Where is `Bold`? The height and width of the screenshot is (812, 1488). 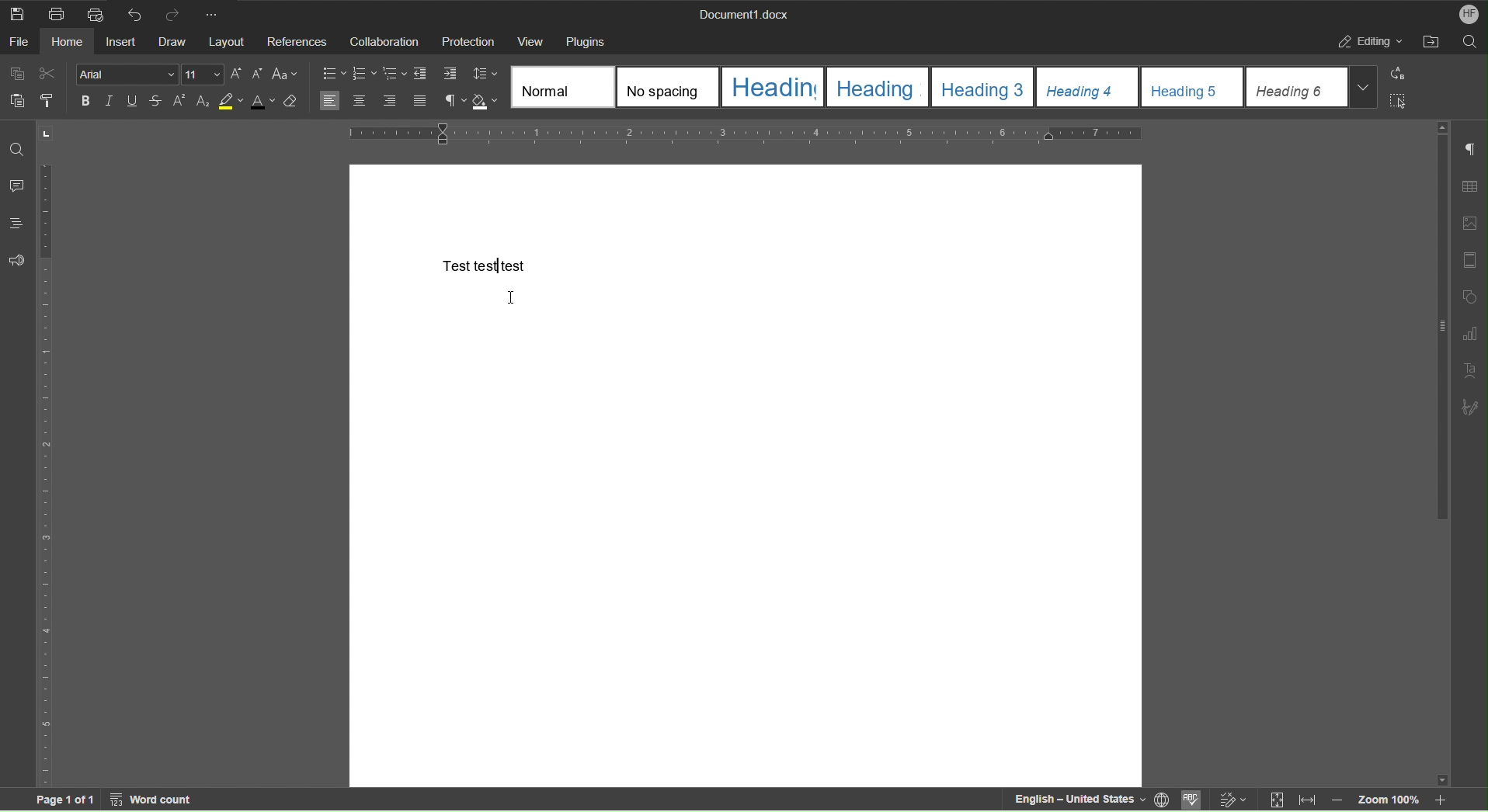 Bold is located at coordinates (85, 100).